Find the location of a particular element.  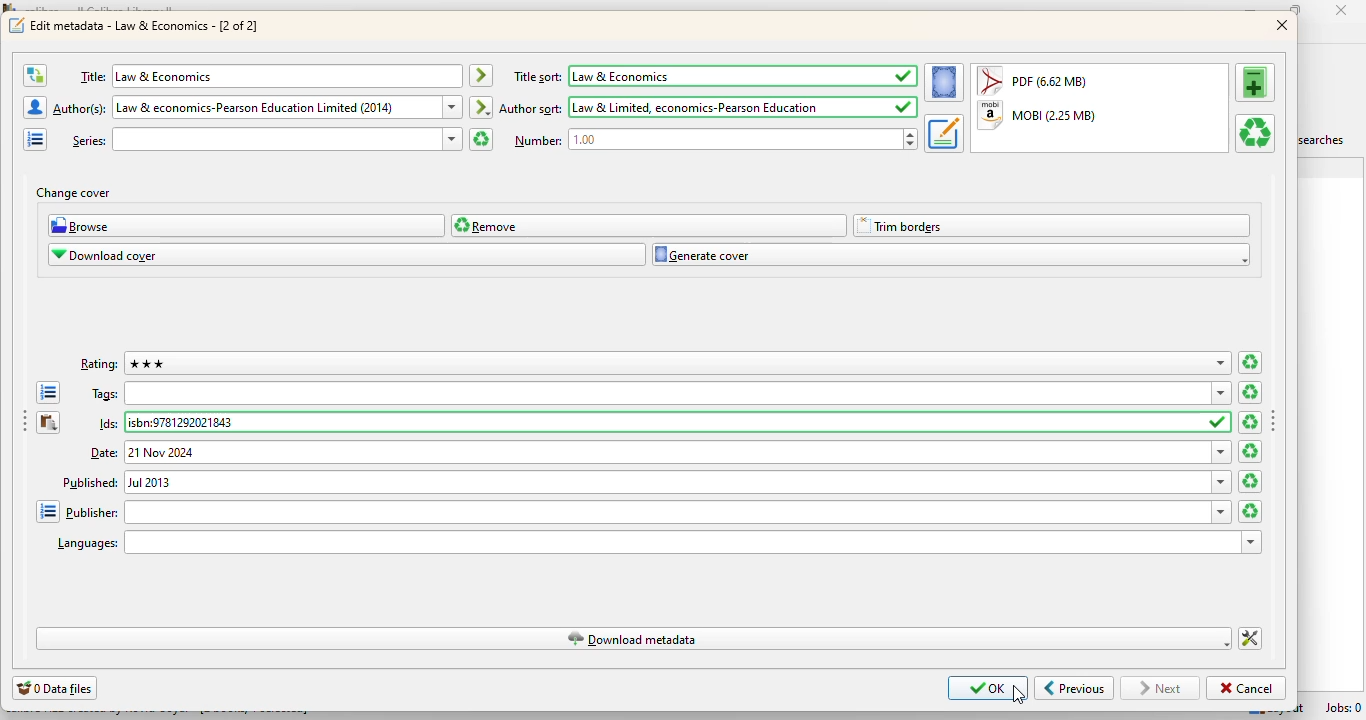

title sort: Law & economics is located at coordinates (715, 76).